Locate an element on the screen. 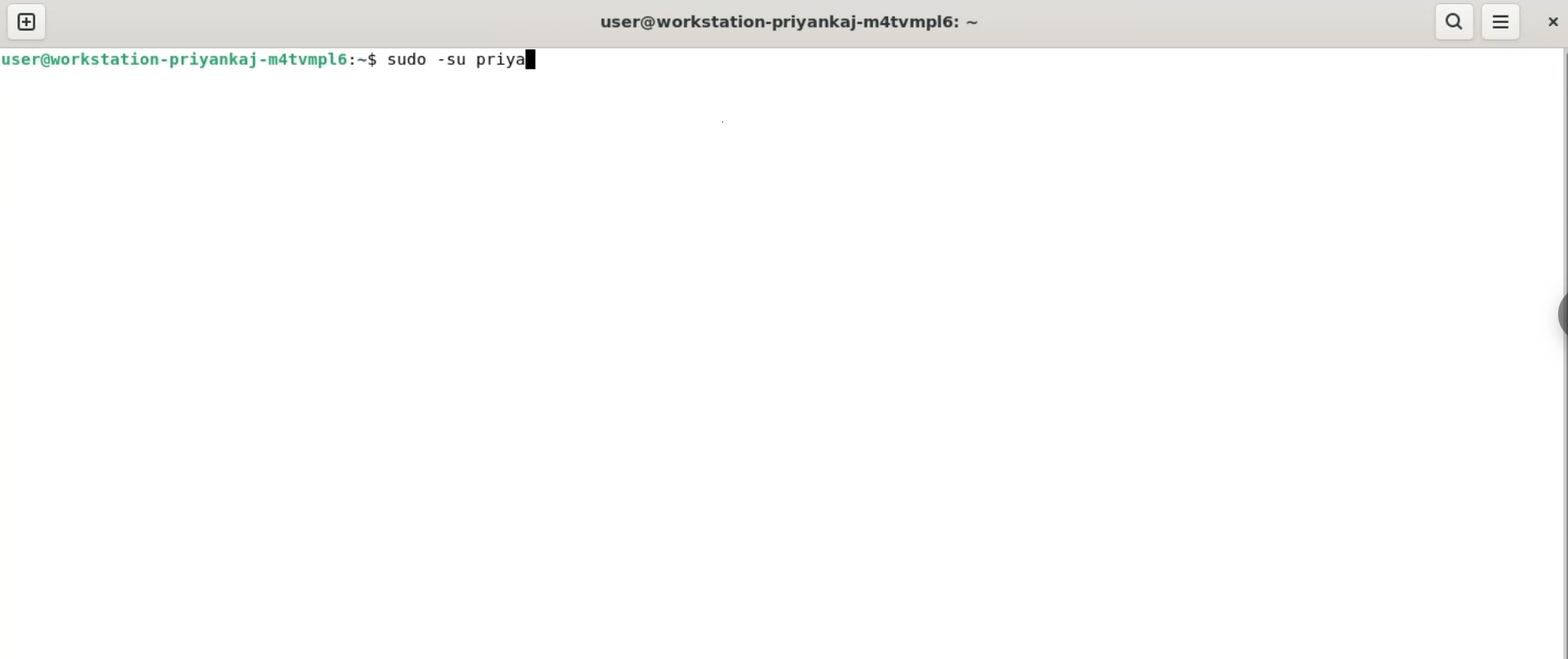  menu is located at coordinates (1502, 21).